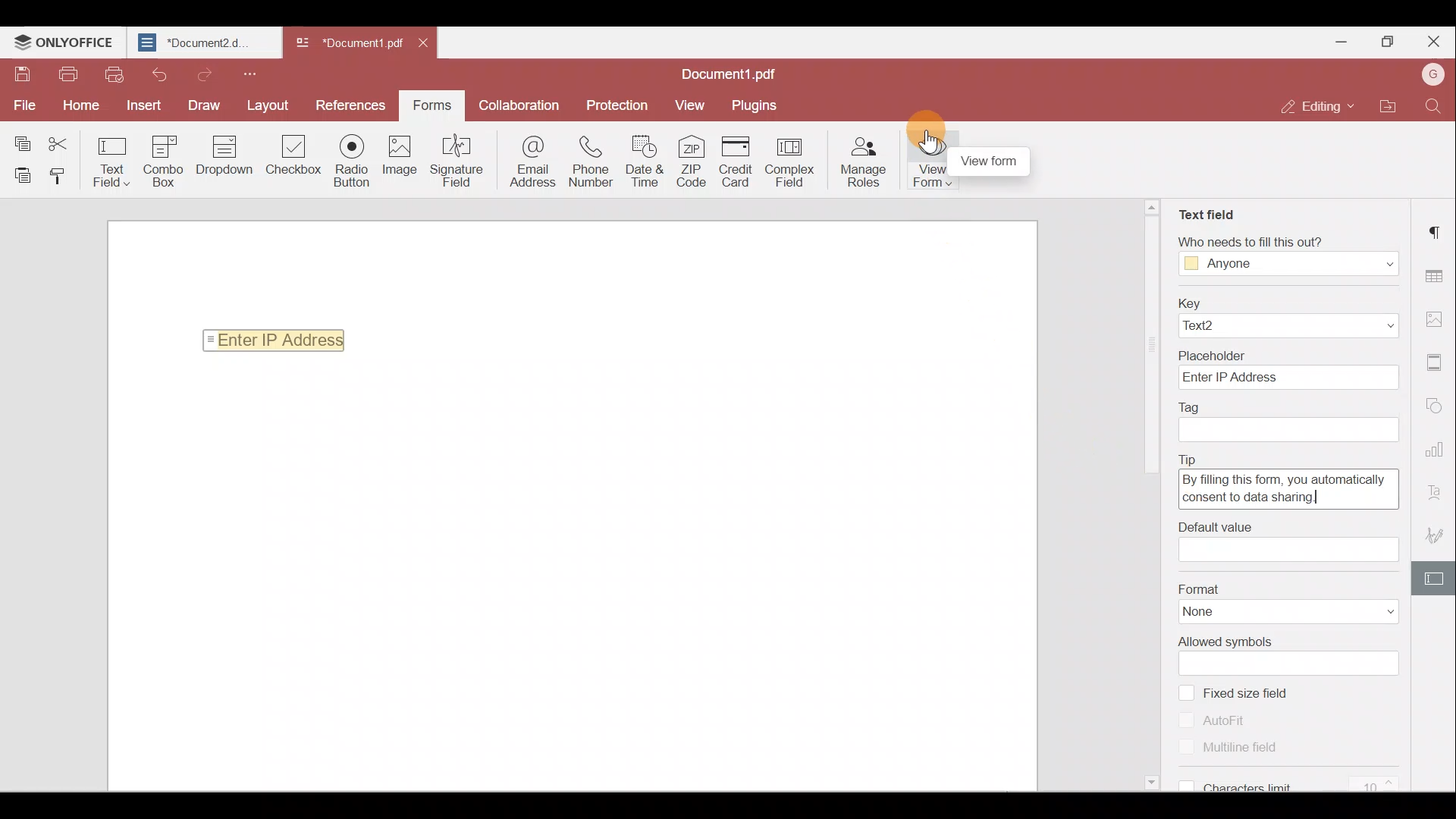  I want to click on Phone number, so click(591, 163).